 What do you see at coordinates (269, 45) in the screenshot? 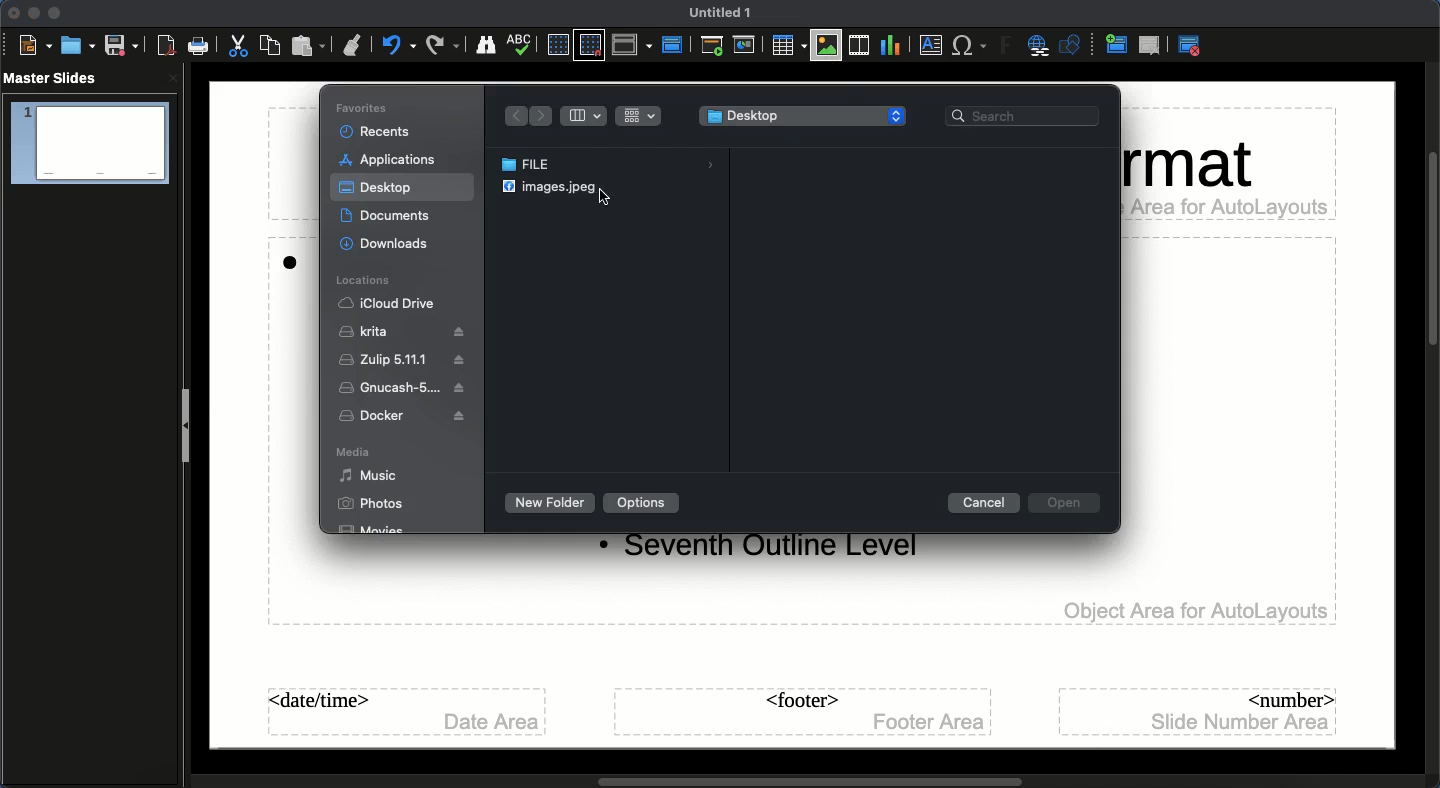
I see `Copy` at bounding box center [269, 45].